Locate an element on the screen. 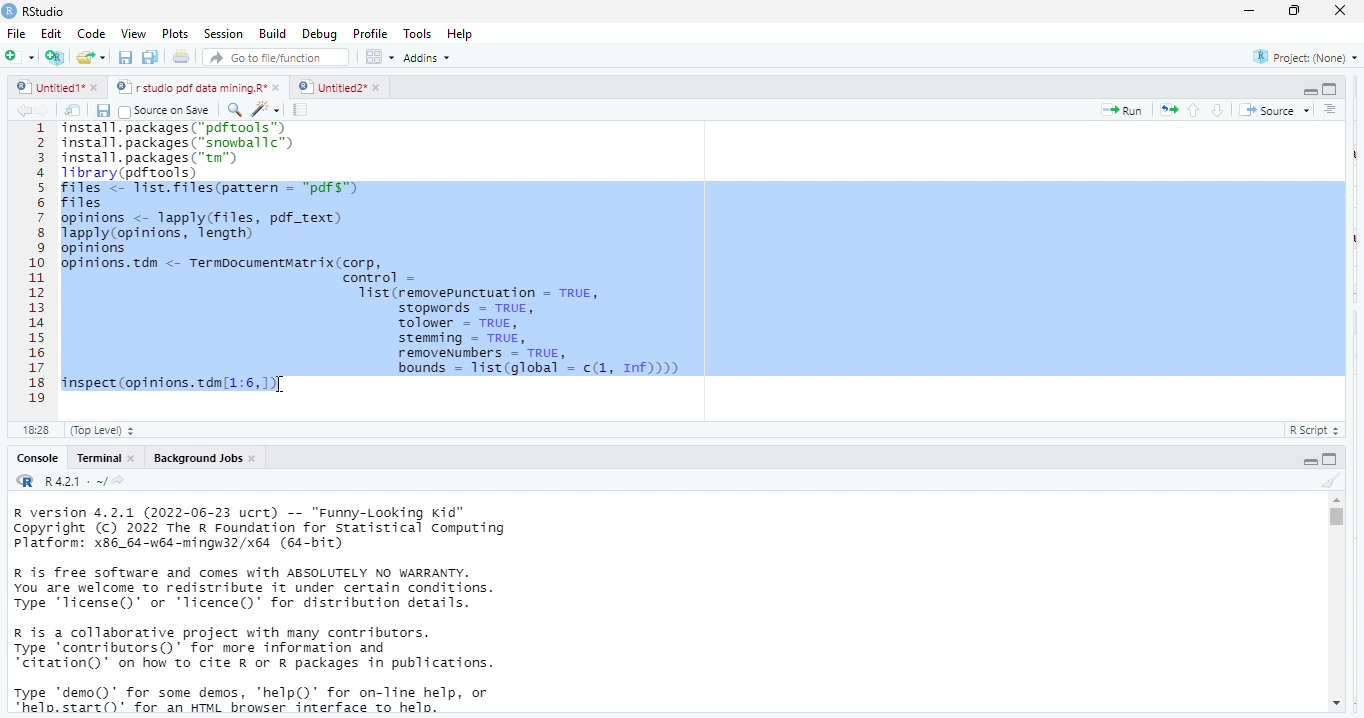  3.23 is located at coordinates (35, 428).